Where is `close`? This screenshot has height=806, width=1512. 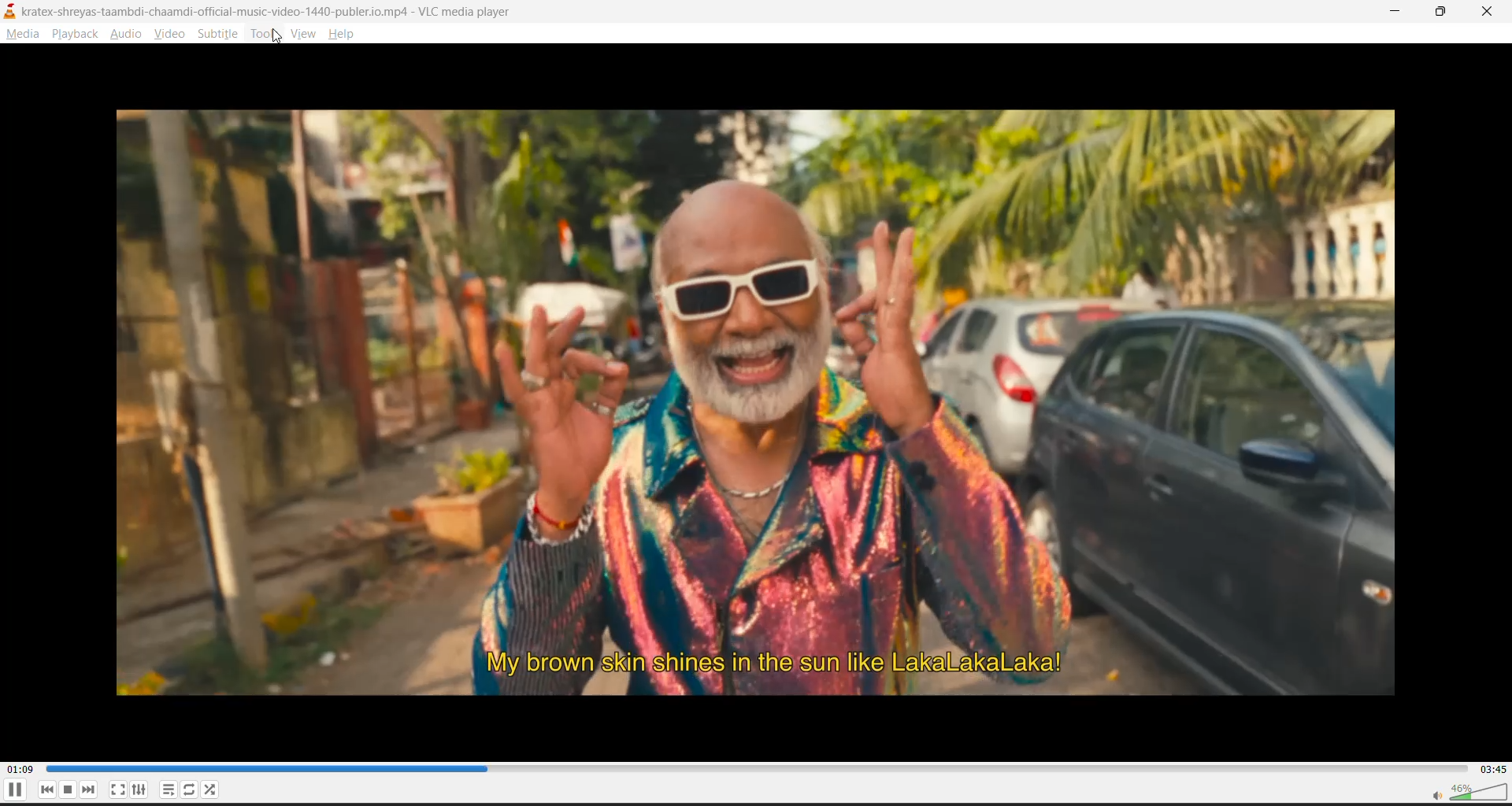
close is located at coordinates (1488, 13).